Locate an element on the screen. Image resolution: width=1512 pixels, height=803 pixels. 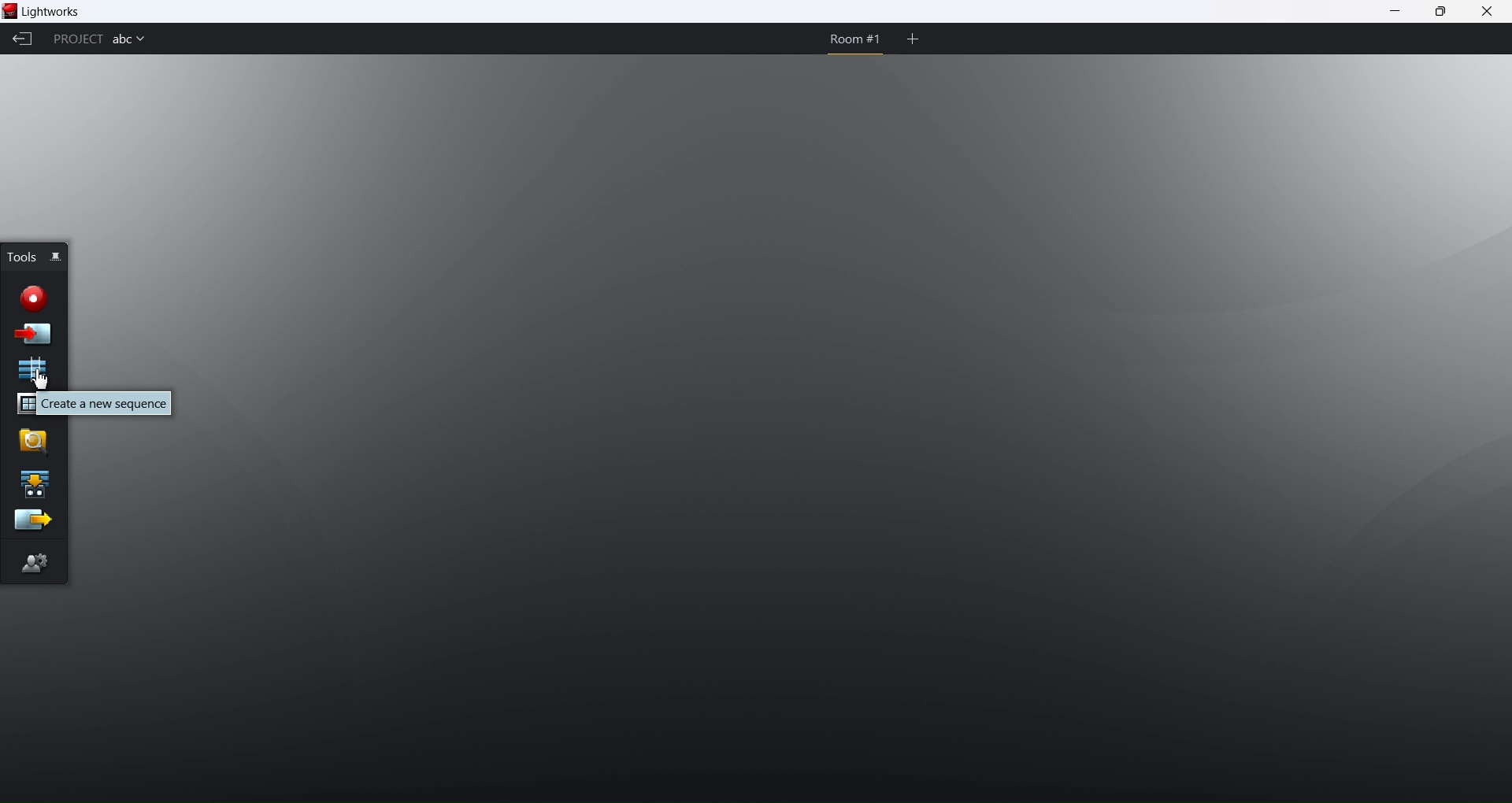
minimize is located at coordinates (1397, 11).